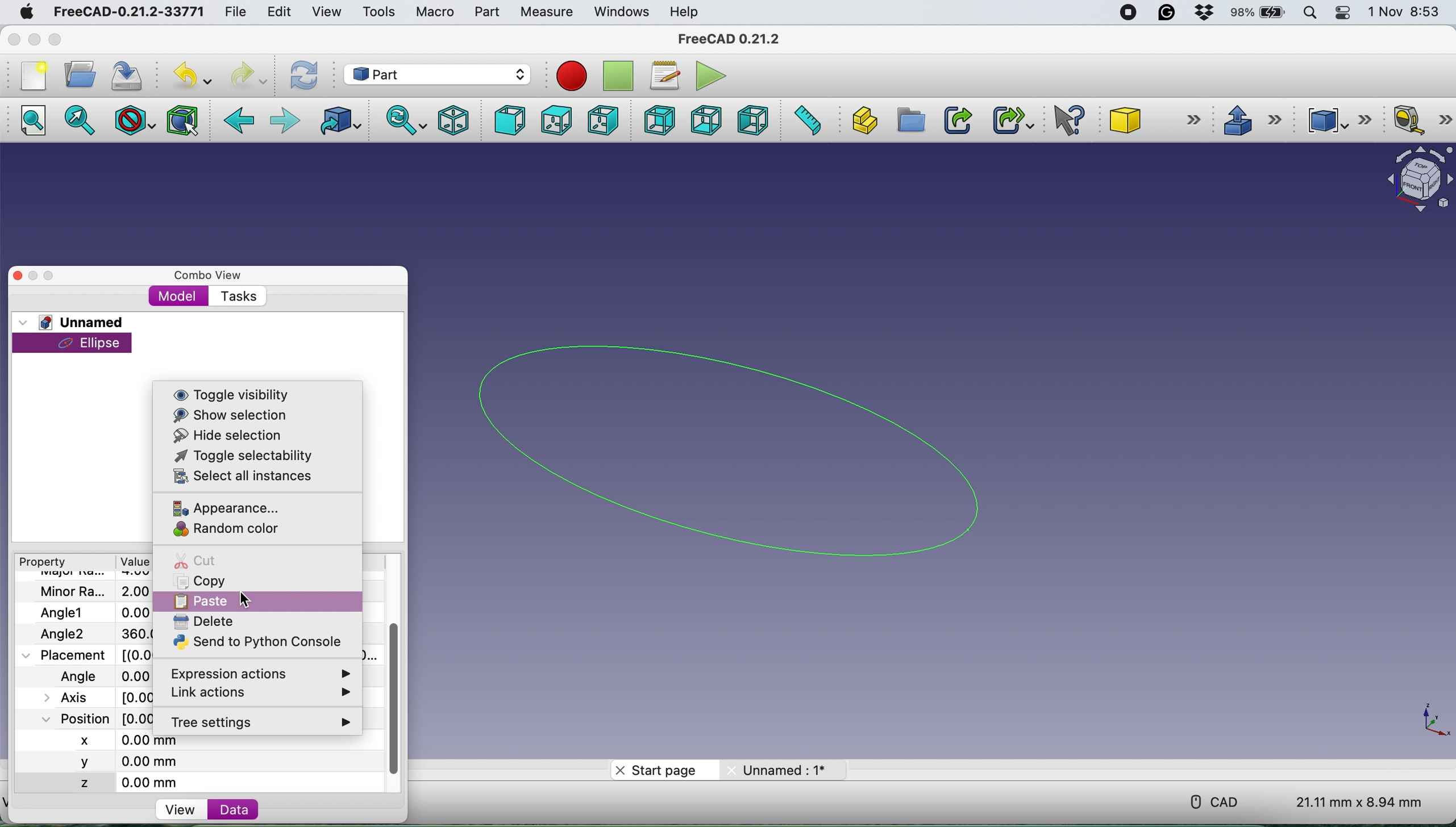 Image resolution: width=1456 pixels, height=827 pixels. What do you see at coordinates (406, 120) in the screenshot?
I see `sync view` at bounding box center [406, 120].